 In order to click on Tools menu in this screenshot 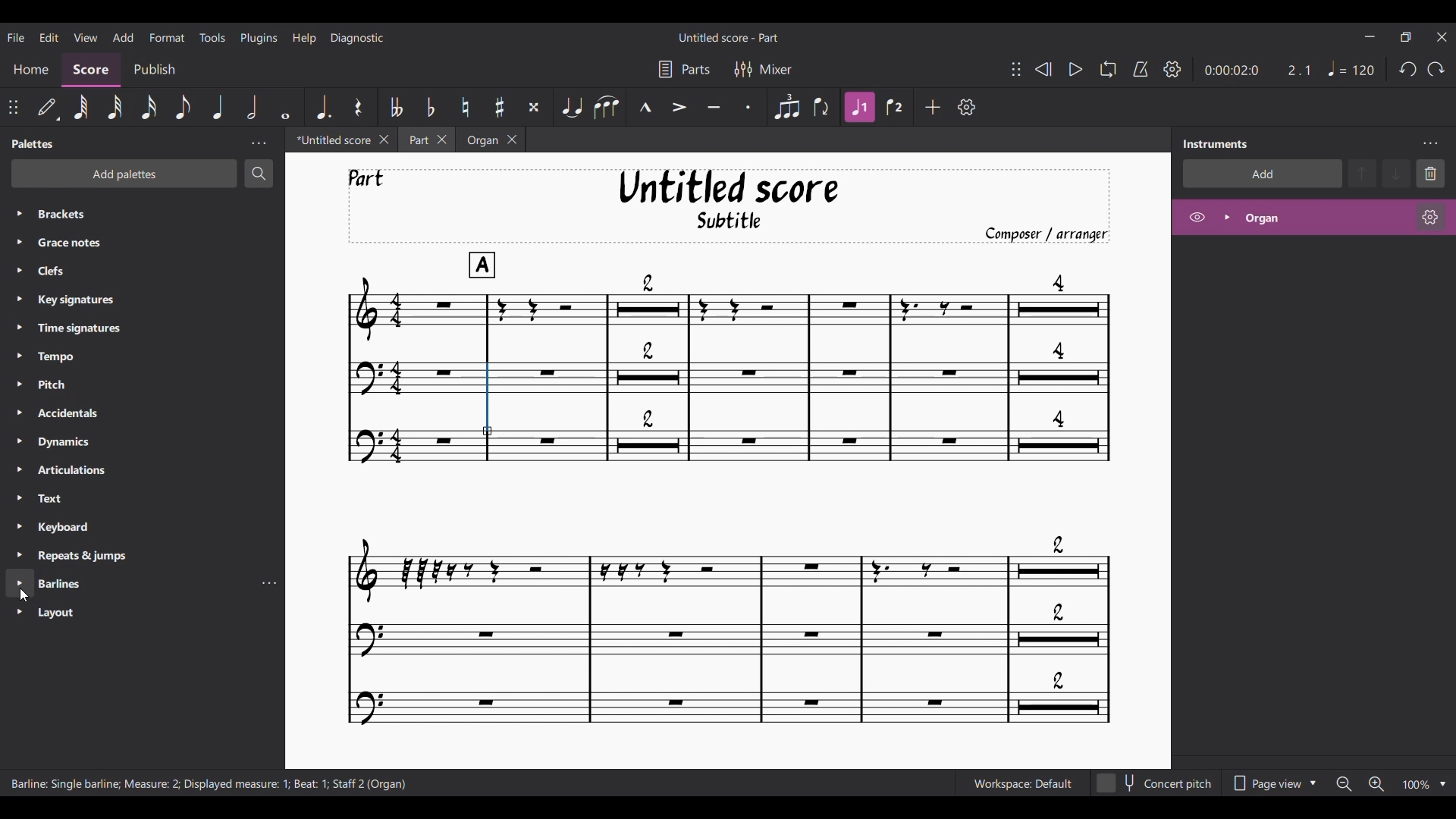, I will do `click(213, 37)`.